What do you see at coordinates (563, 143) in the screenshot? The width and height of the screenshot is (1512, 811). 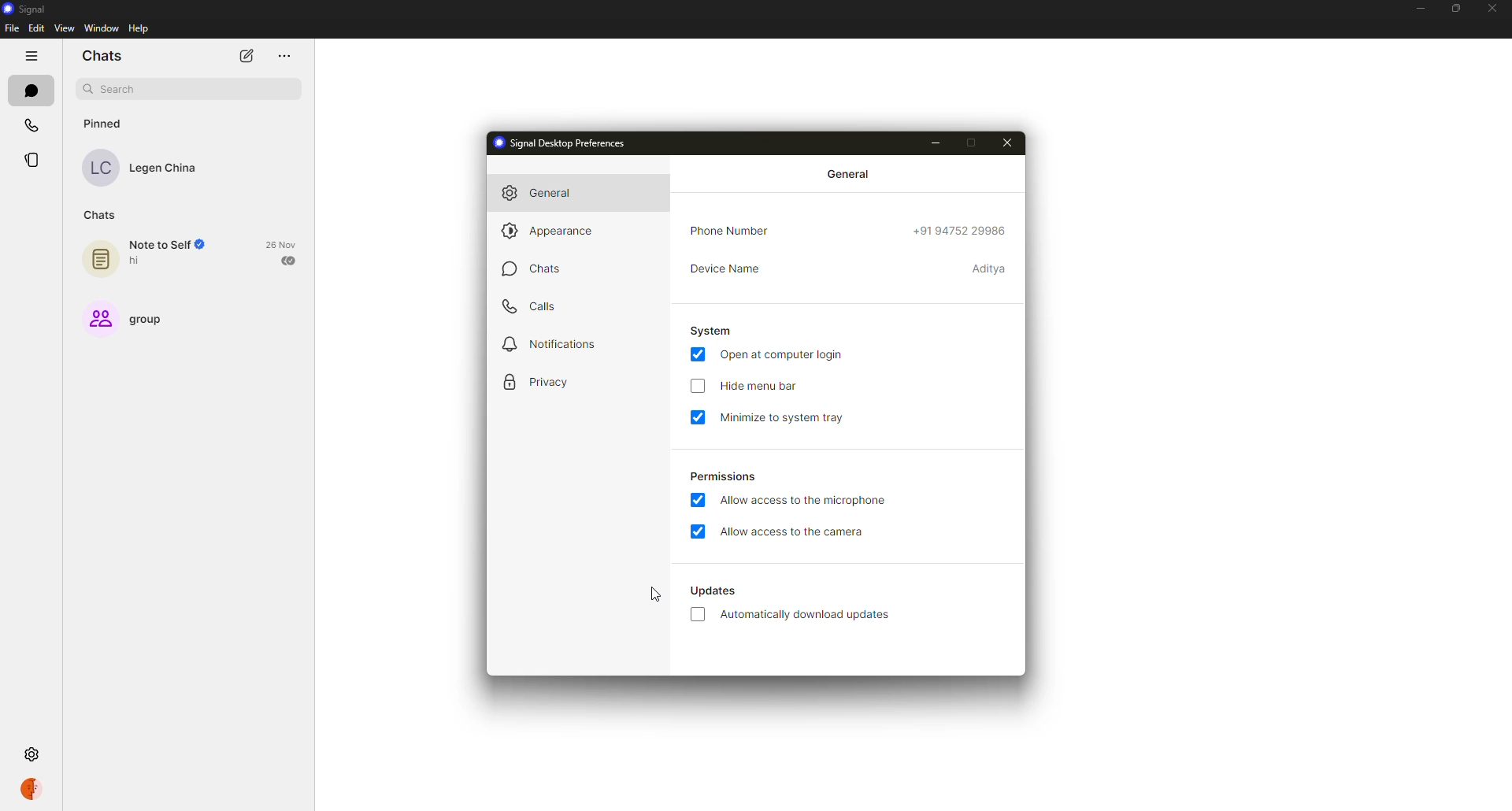 I see `signal desktop preferences` at bounding box center [563, 143].